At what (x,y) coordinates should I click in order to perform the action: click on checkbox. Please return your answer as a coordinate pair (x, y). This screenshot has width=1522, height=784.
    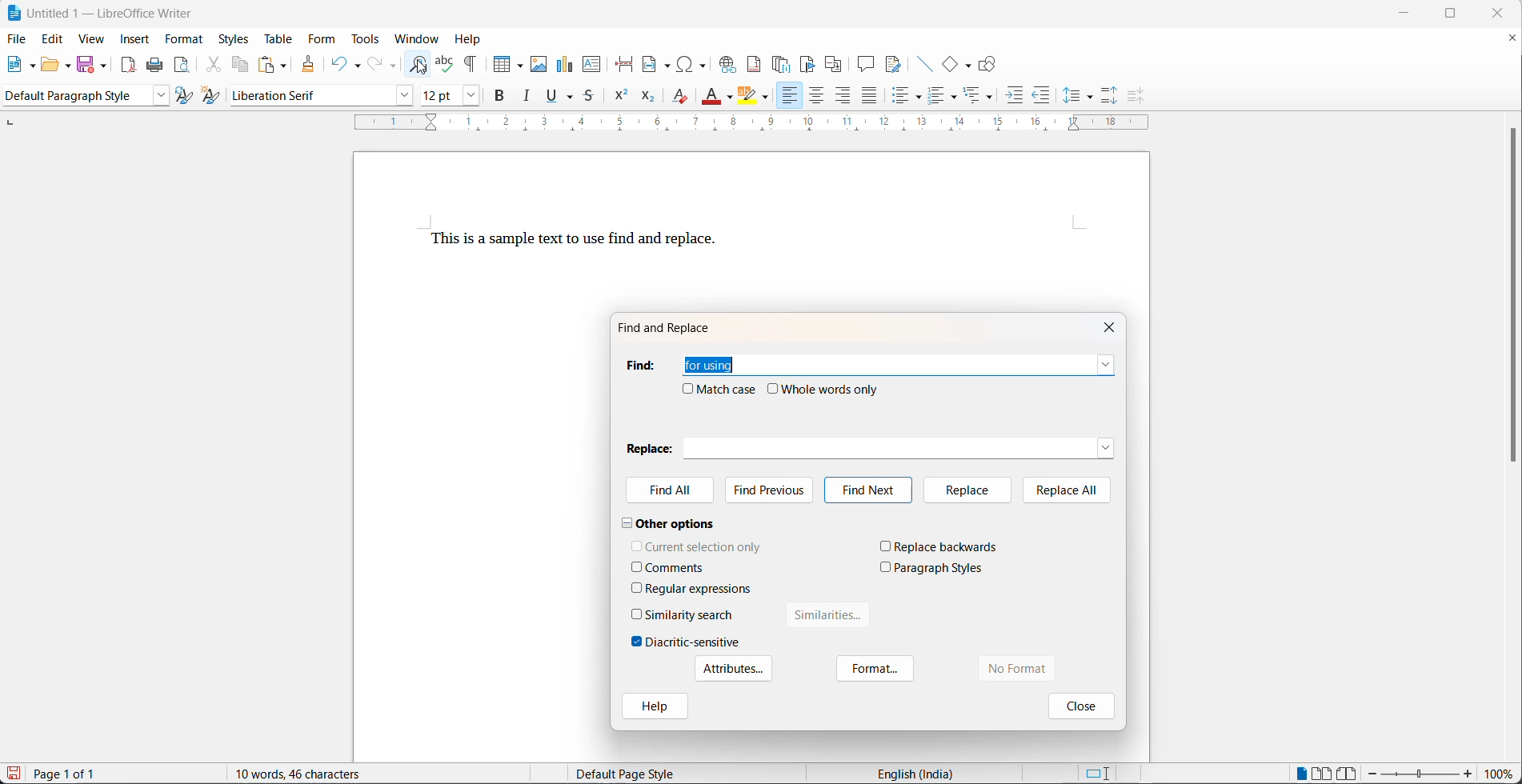
    Looking at the image, I should click on (687, 388).